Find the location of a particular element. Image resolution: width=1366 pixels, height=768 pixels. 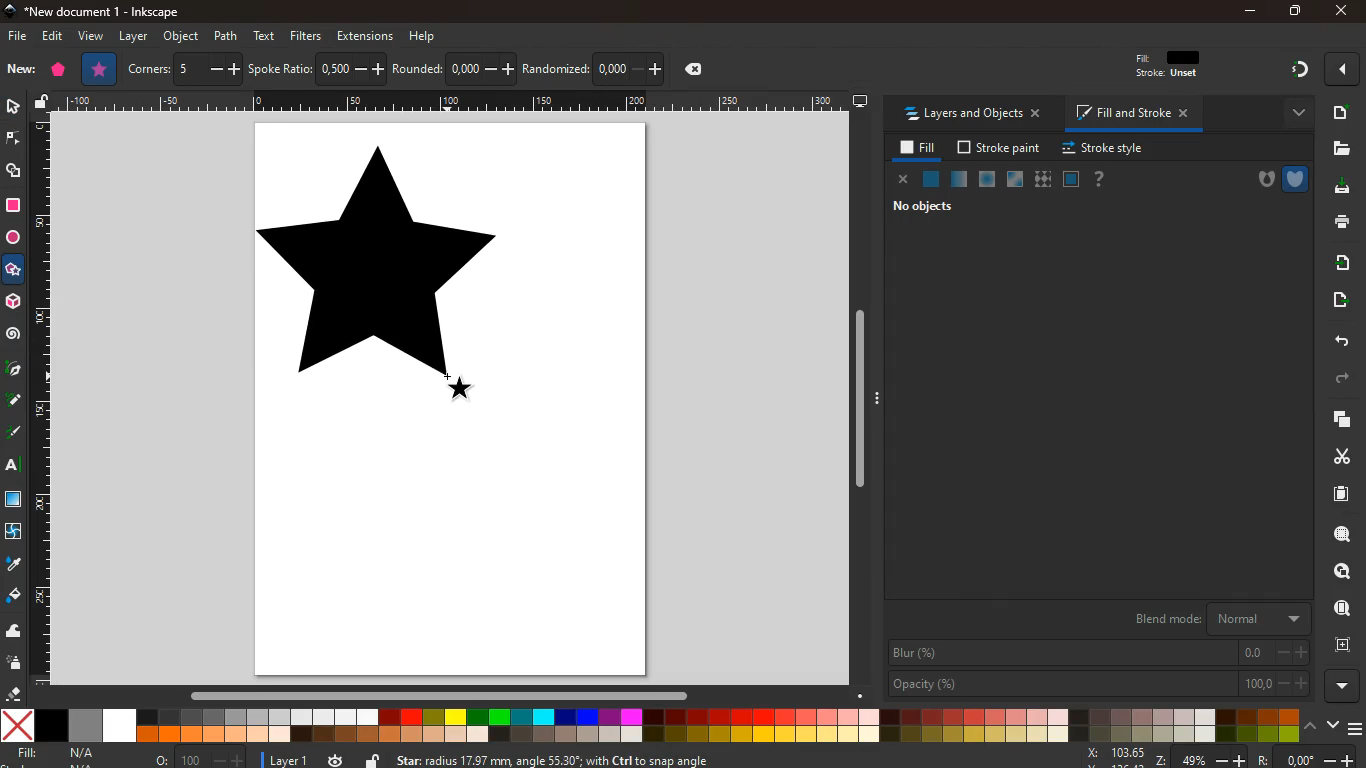

polygon is located at coordinates (59, 71).